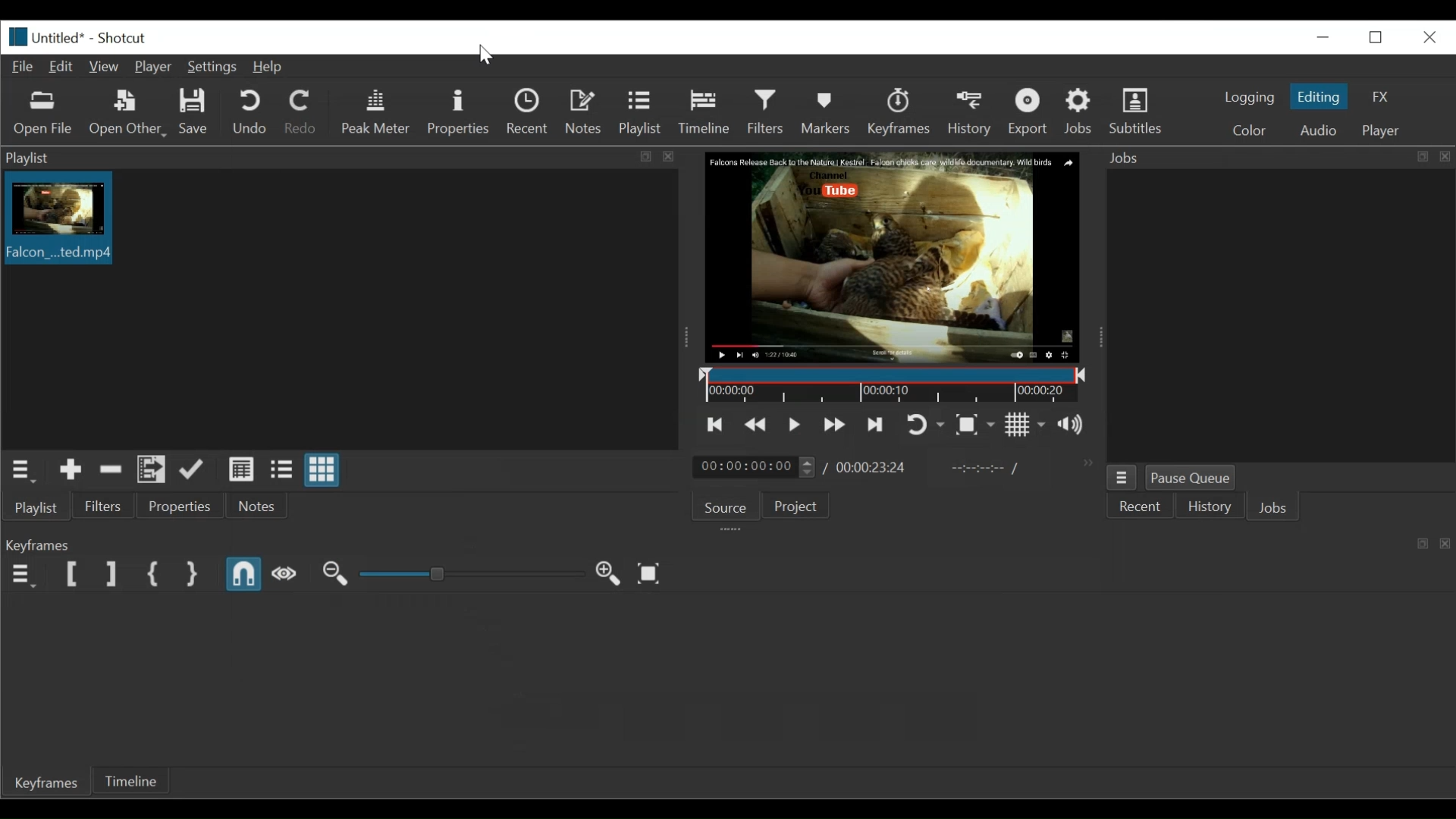  Describe the element at coordinates (757, 425) in the screenshot. I see `Play quickly backward` at that location.